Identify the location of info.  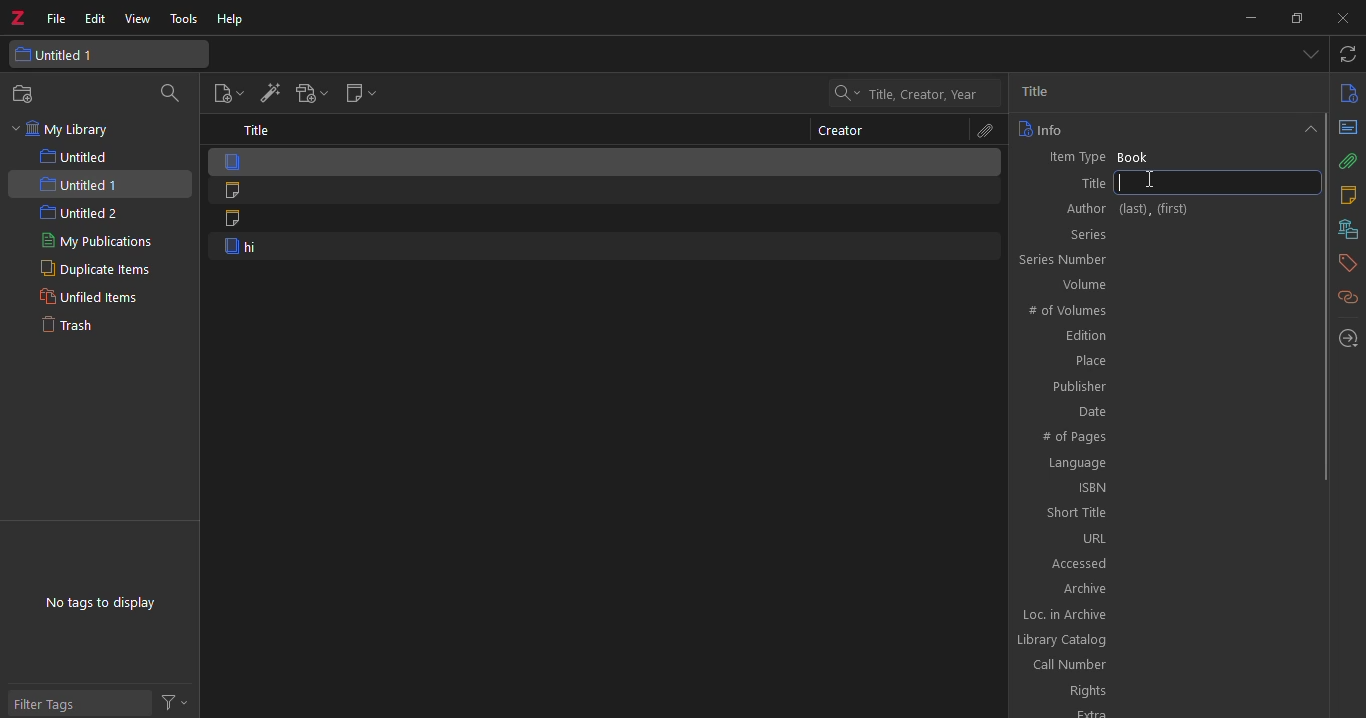
(1348, 92).